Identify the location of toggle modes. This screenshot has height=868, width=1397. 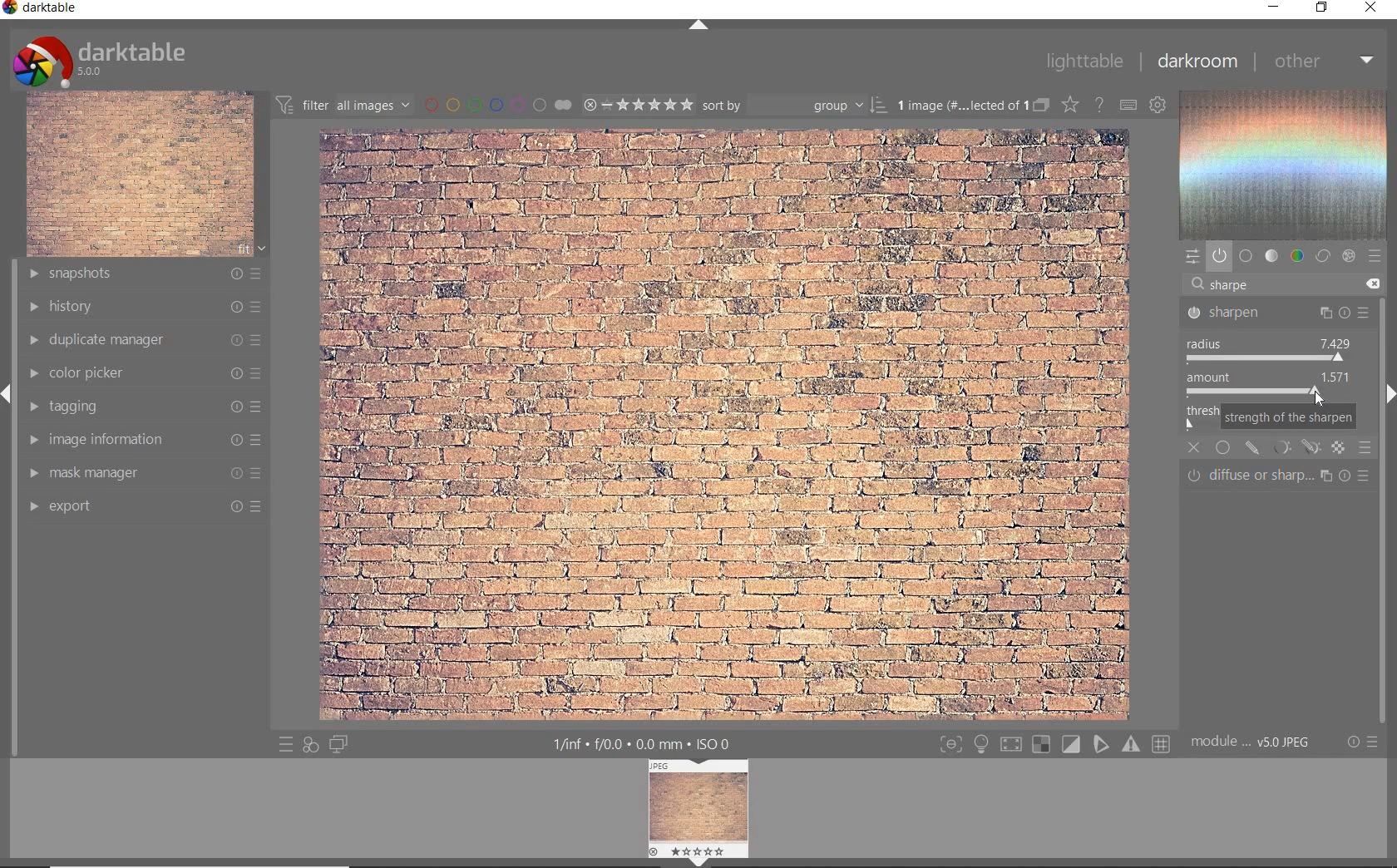
(1054, 742).